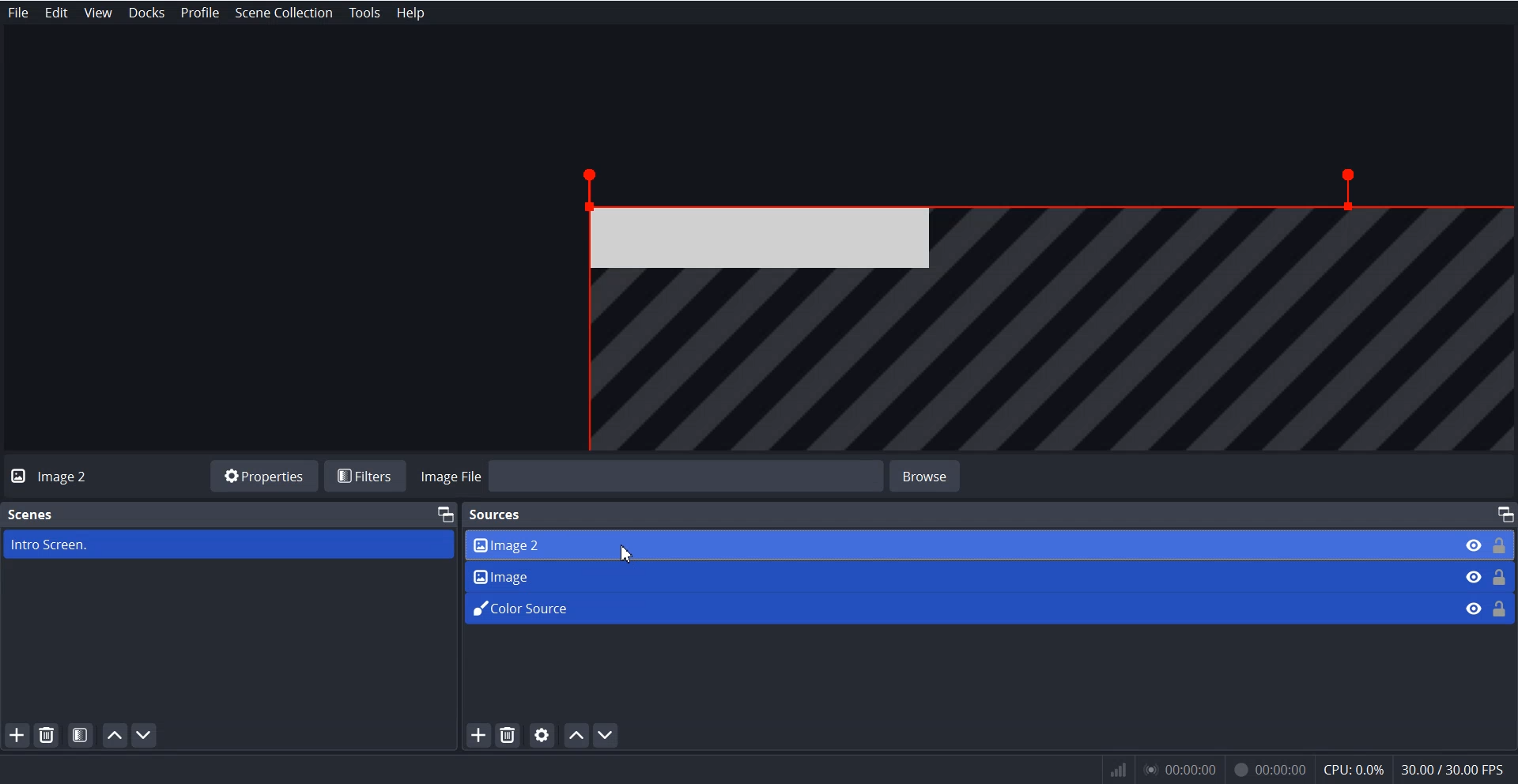  Describe the element at coordinates (1028, 303) in the screenshot. I see `File Overview` at that location.